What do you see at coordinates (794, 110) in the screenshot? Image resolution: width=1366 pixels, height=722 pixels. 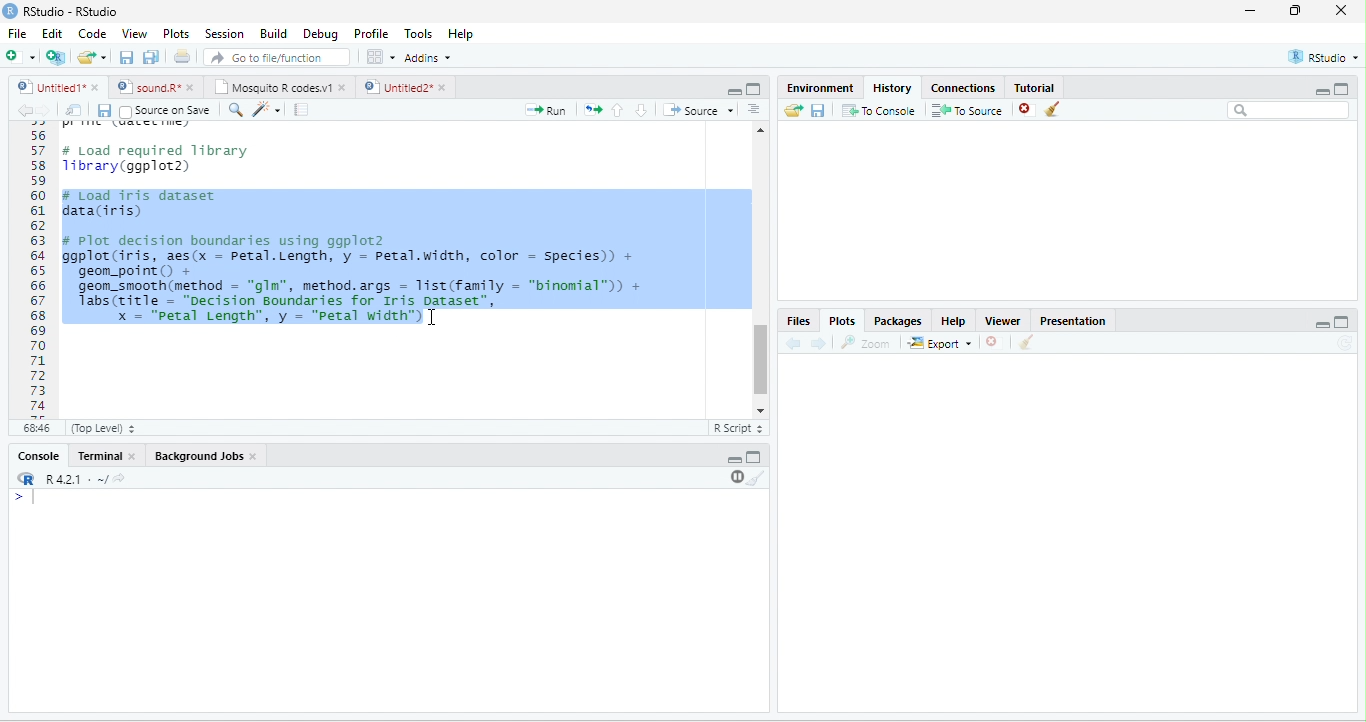 I see `open folder` at bounding box center [794, 110].